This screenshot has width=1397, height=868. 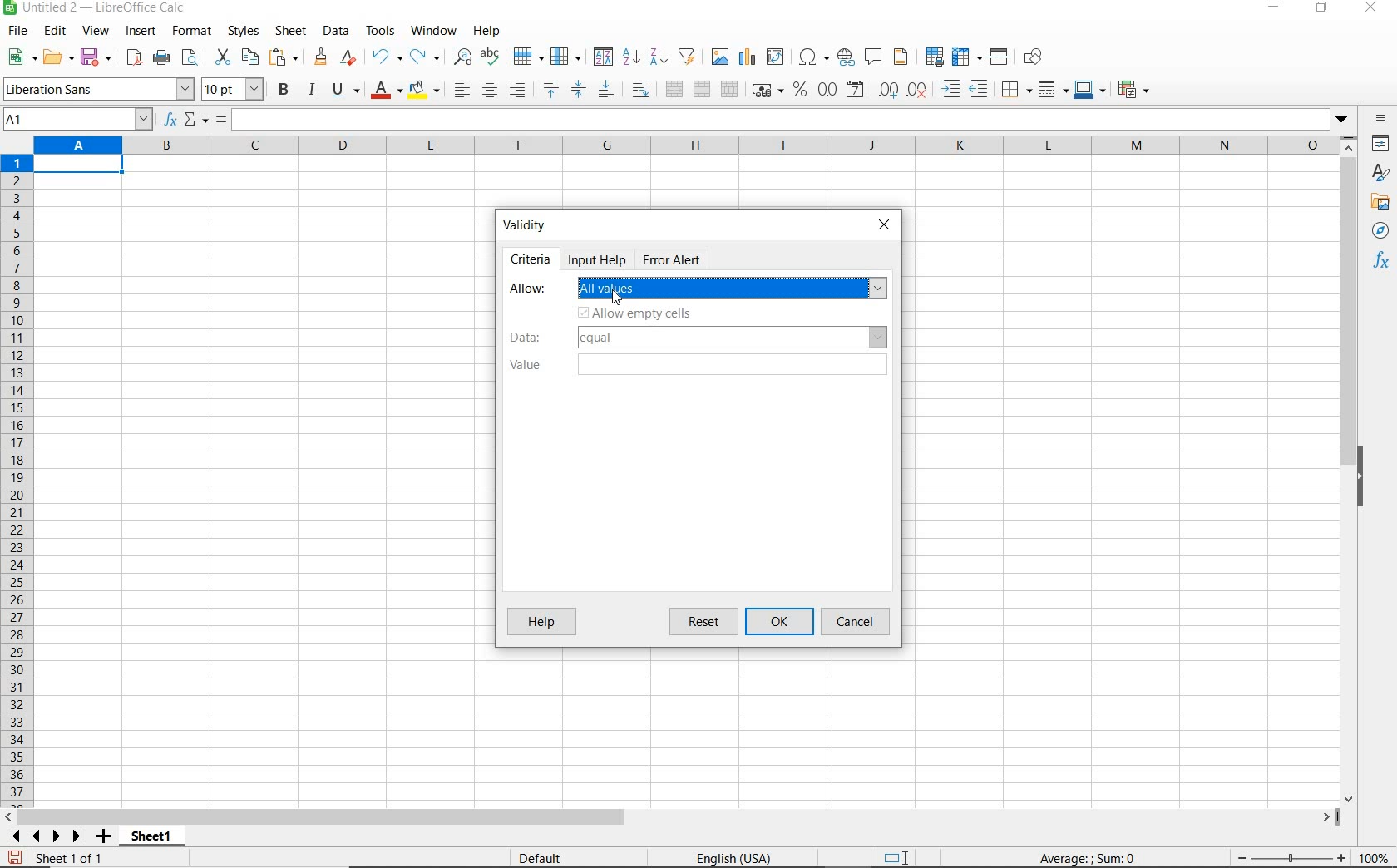 I want to click on scrollbar, so click(x=671, y=817).